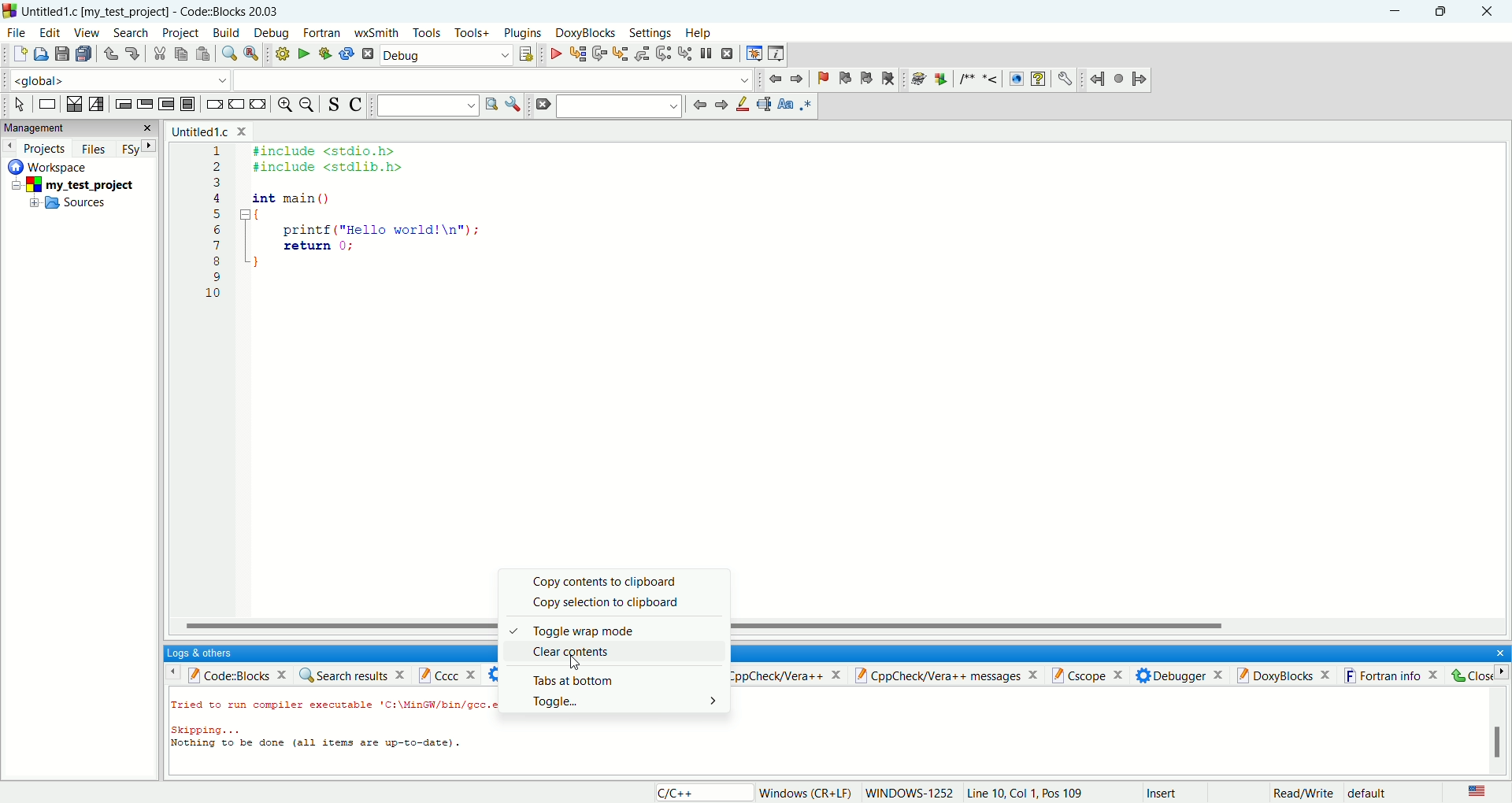 This screenshot has width=1512, height=803. I want to click on cut, so click(156, 54).